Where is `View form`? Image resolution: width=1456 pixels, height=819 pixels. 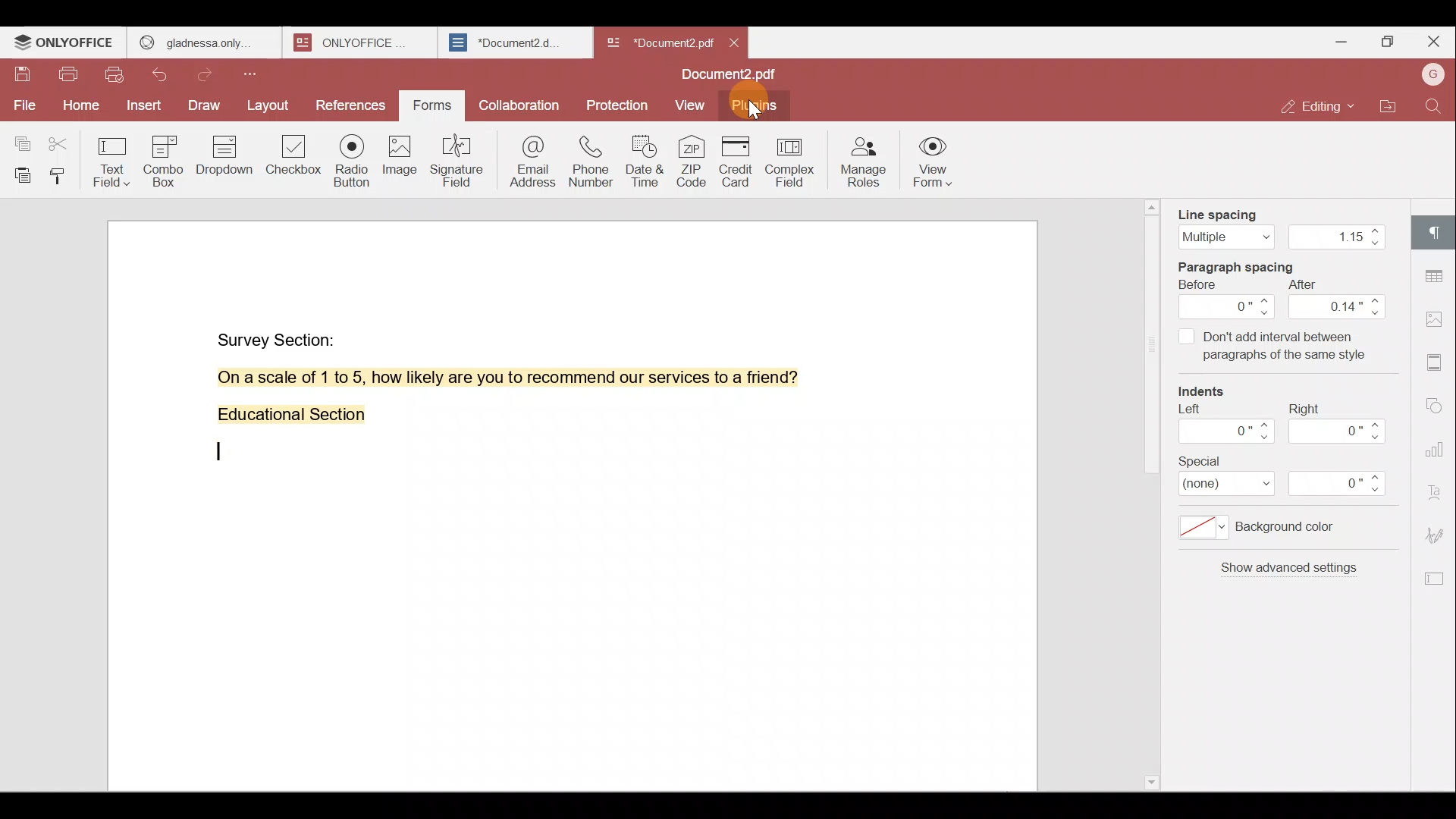
View form is located at coordinates (933, 164).